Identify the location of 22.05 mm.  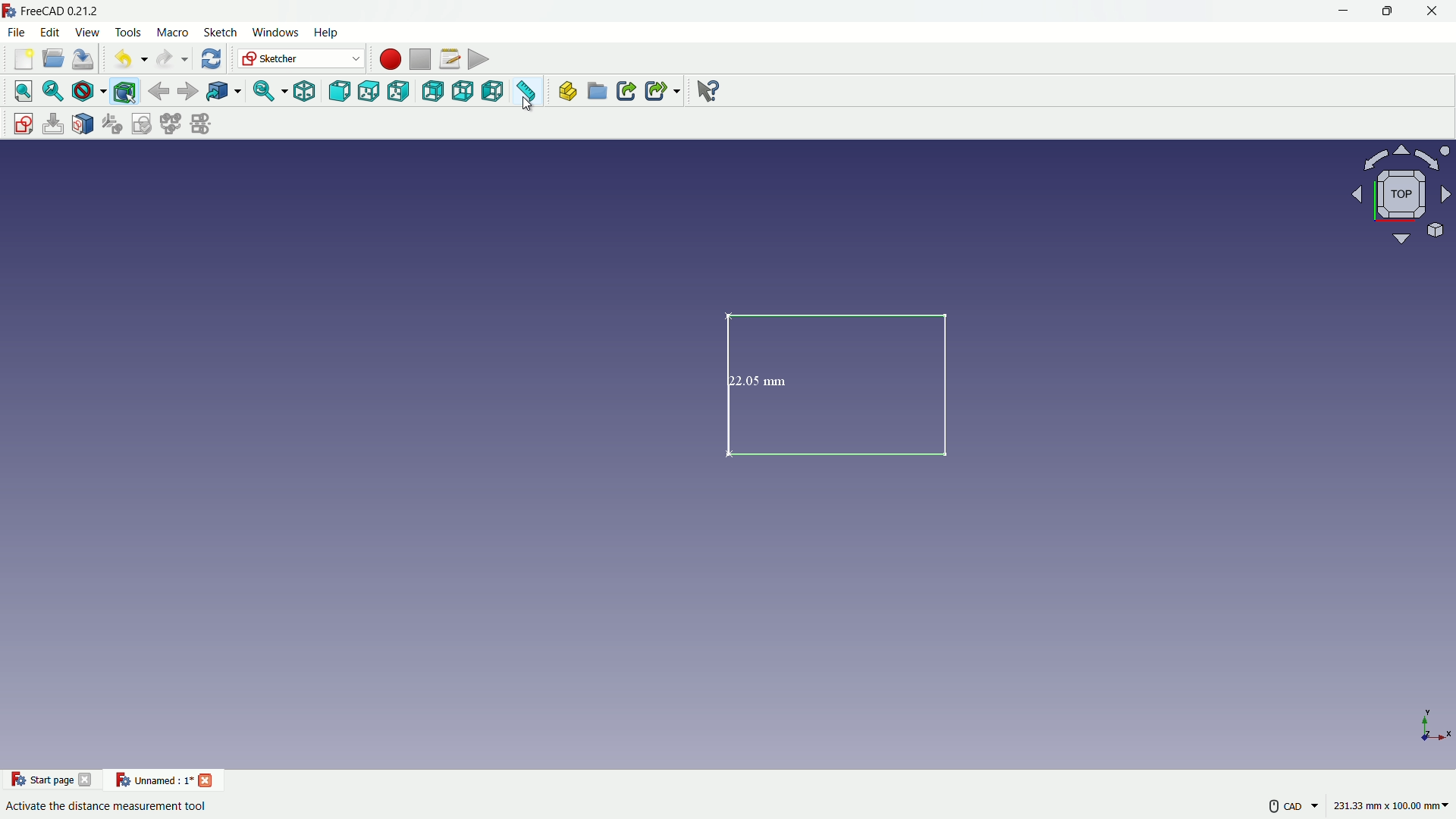
(755, 383).